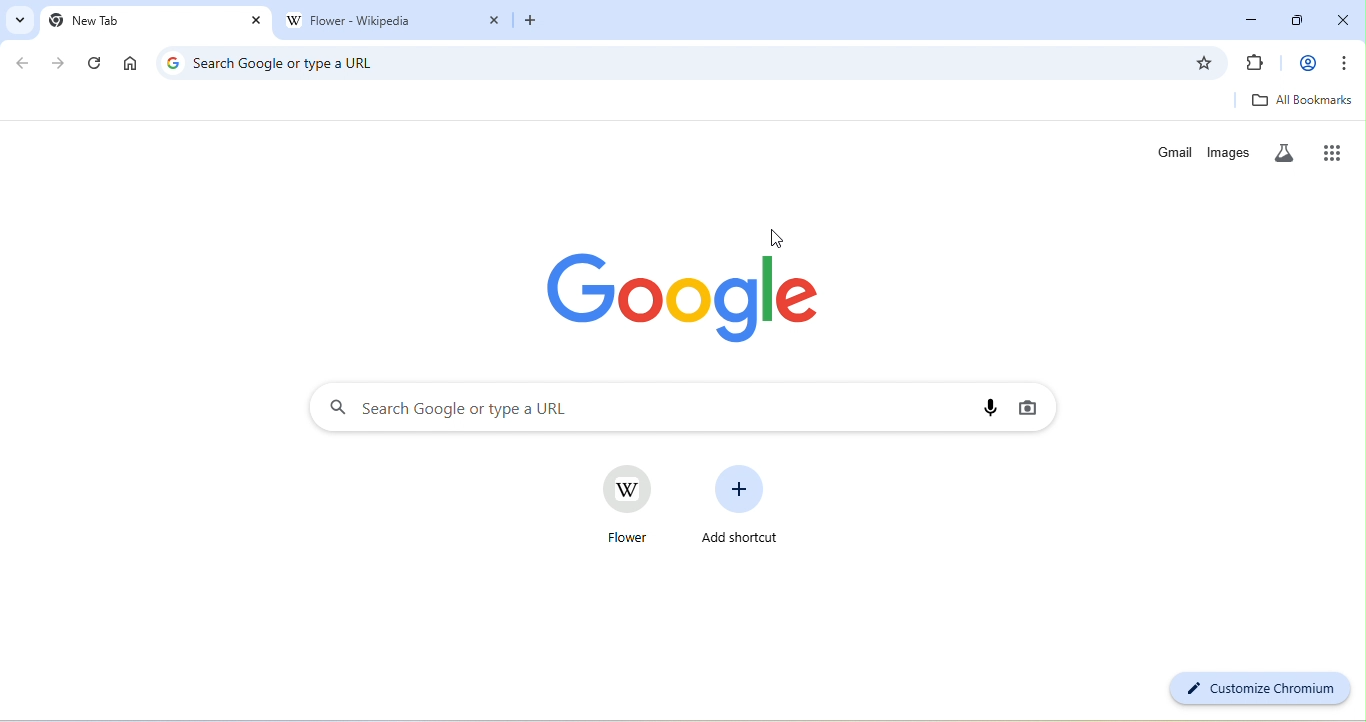  I want to click on close, so click(257, 21).